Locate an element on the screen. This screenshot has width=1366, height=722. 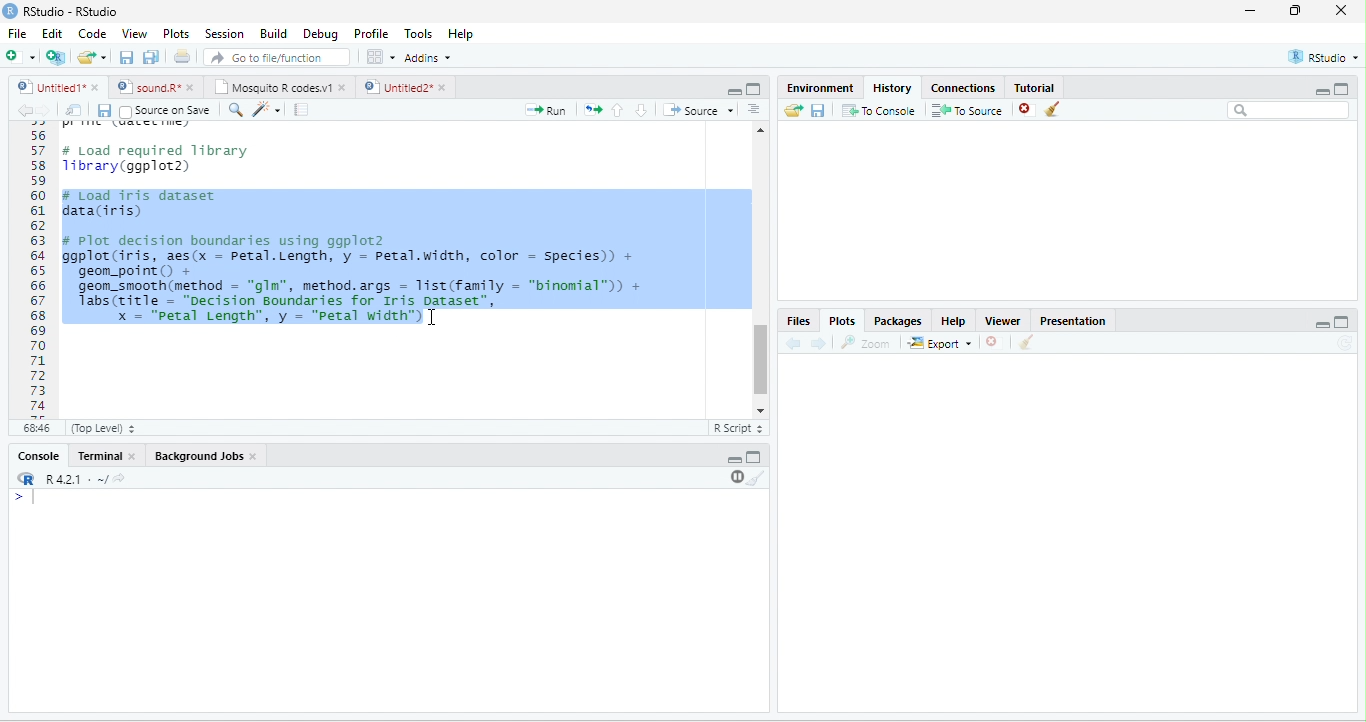
Help is located at coordinates (954, 321).